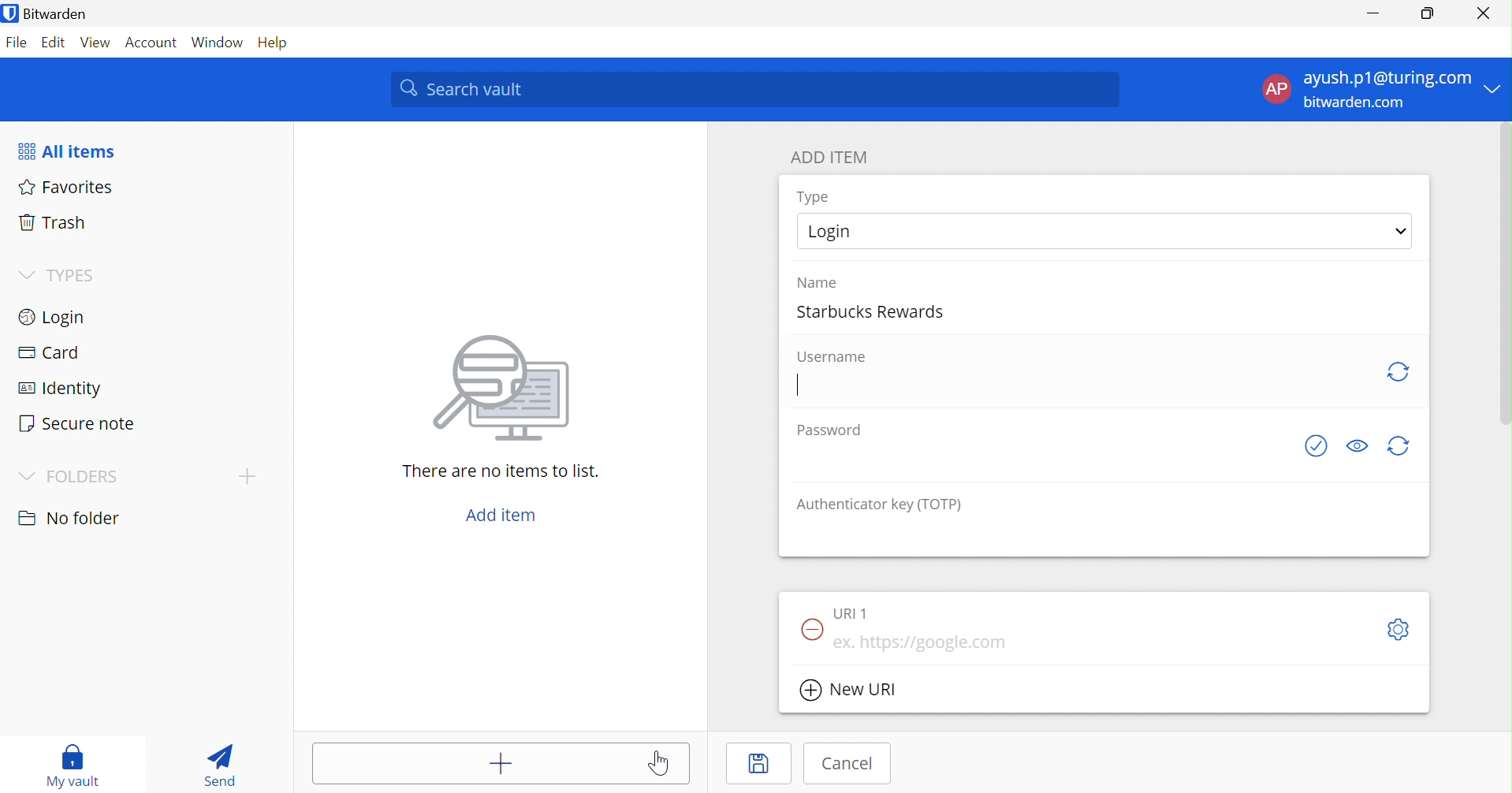 Image resolution: width=1512 pixels, height=793 pixels. What do you see at coordinates (224, 764) in the screenshot?
I see `Send` at bounding box center [224, 764].